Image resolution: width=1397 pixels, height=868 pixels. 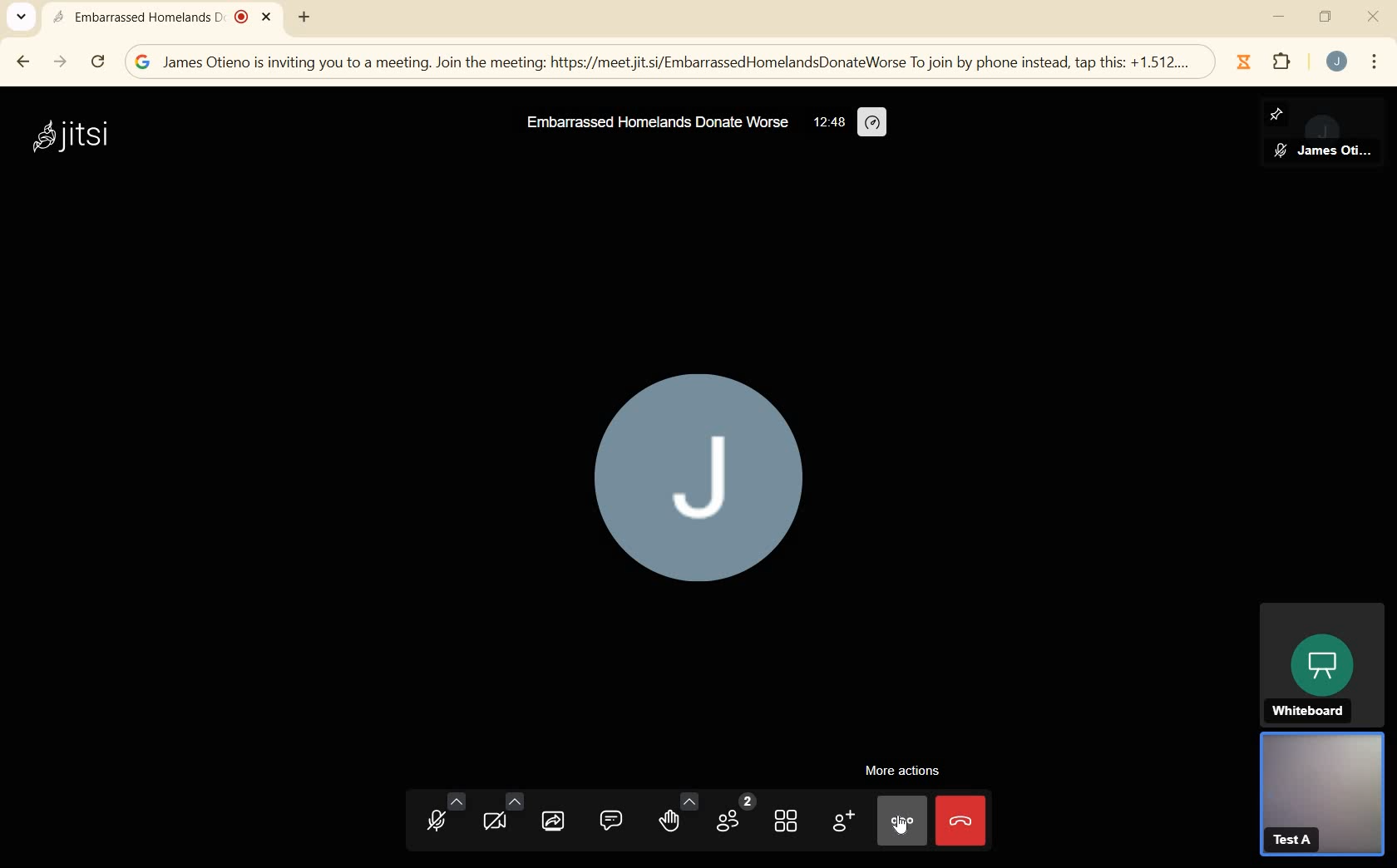 I want to click on participant's Profile Picture, so click(x=703, y=485).